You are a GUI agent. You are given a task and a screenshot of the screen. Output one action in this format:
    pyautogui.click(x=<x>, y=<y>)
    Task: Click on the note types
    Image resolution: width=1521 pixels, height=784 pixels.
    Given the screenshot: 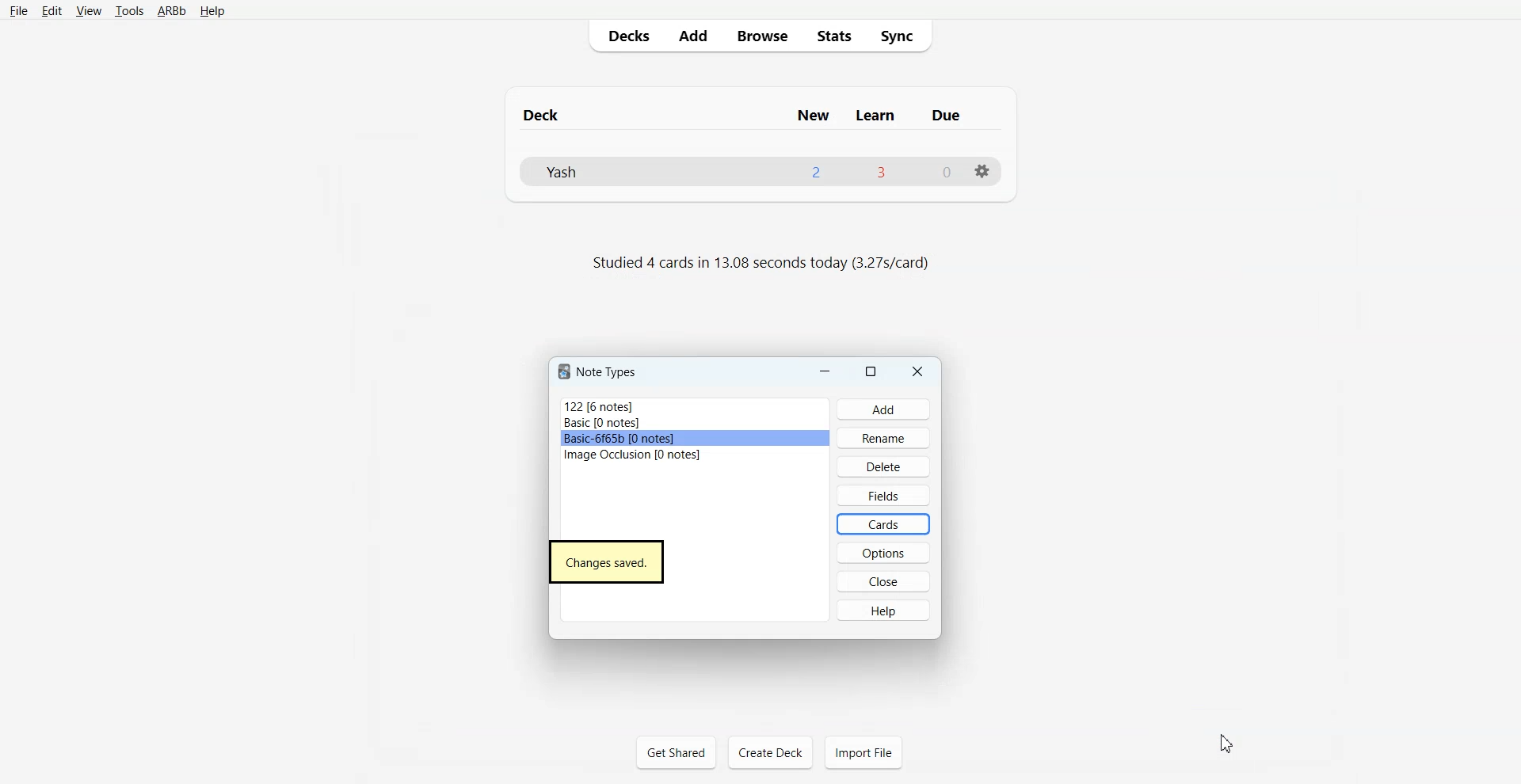 What is the action you would take?
    pyautogui.click(x=597, y=372)
    